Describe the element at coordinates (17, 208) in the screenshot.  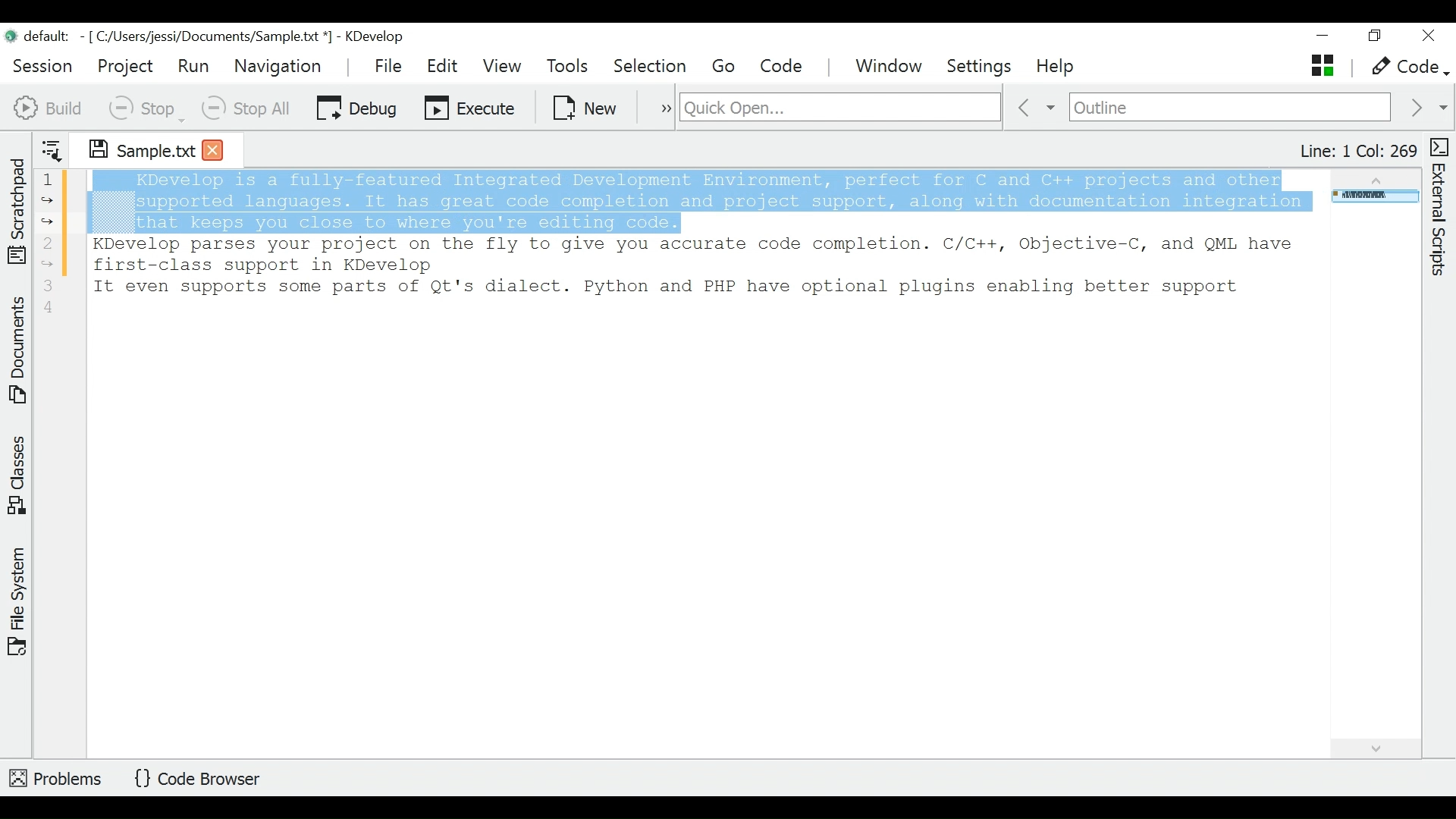
I see `Scratchpad` at that location.